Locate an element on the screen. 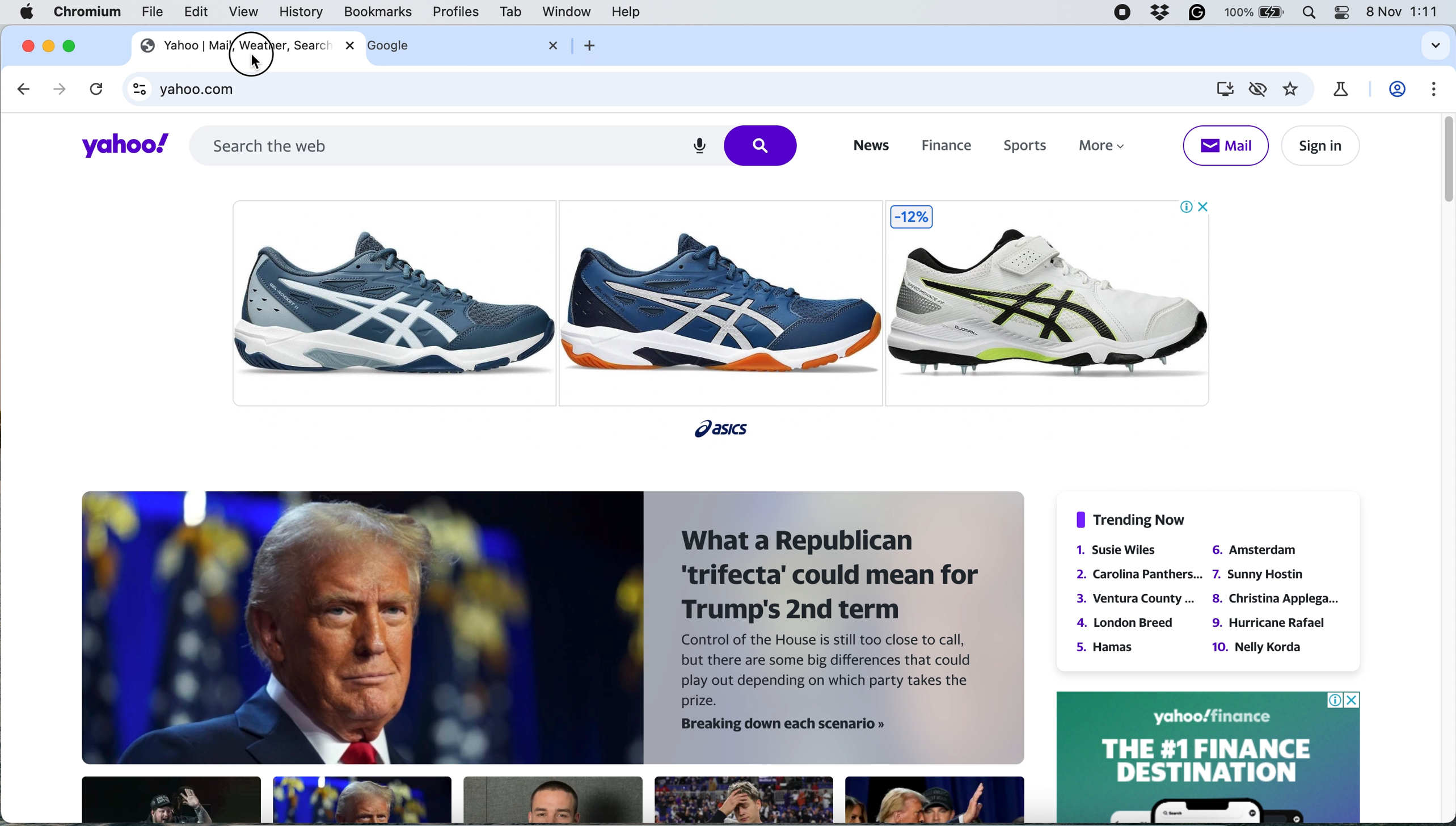 The image size is (1456, 826). settings is located at coordinates (1434, 89).